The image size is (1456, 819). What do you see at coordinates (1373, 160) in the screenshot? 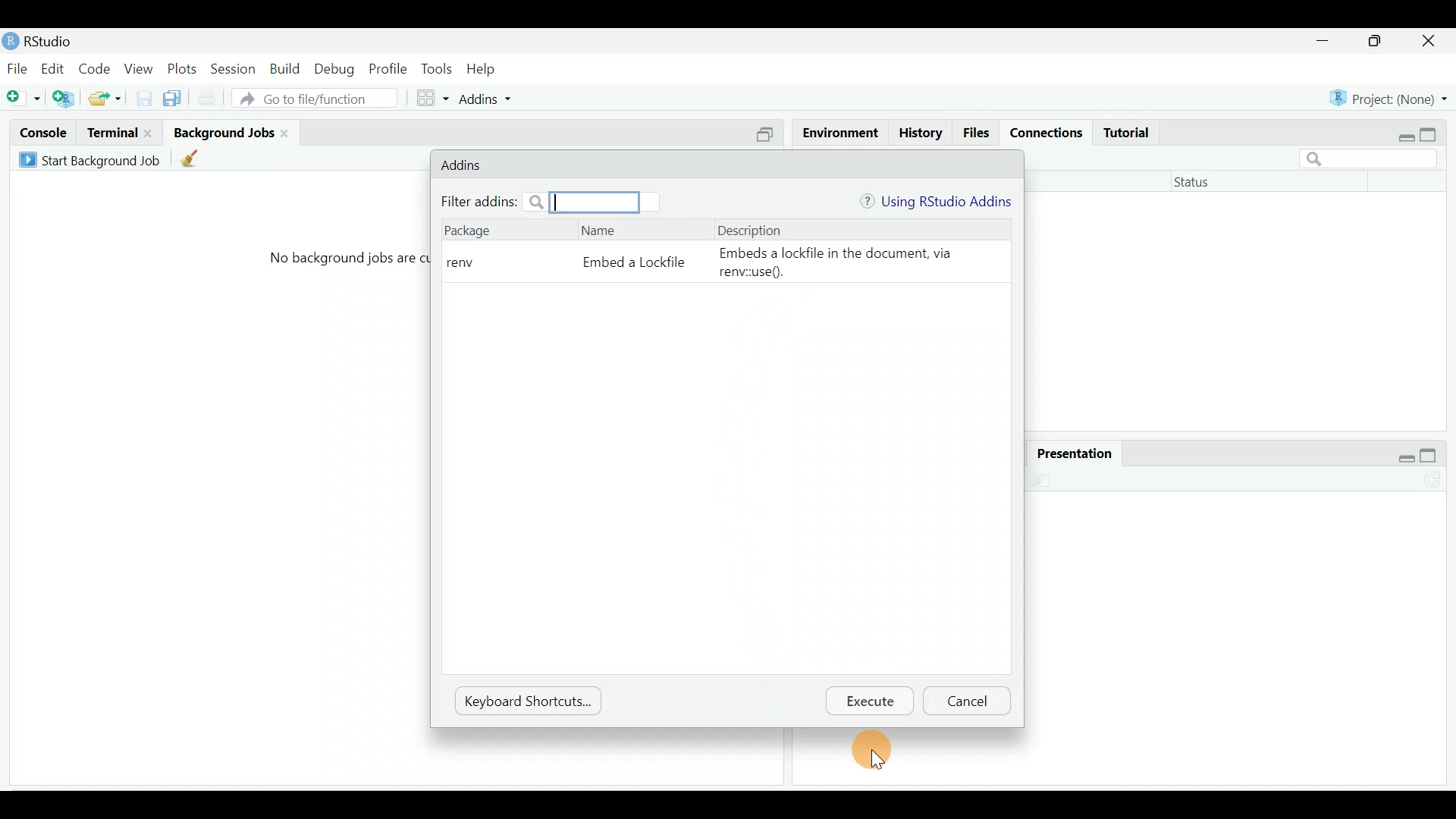
I see `Search bar` at bounding box center [1373, 160].